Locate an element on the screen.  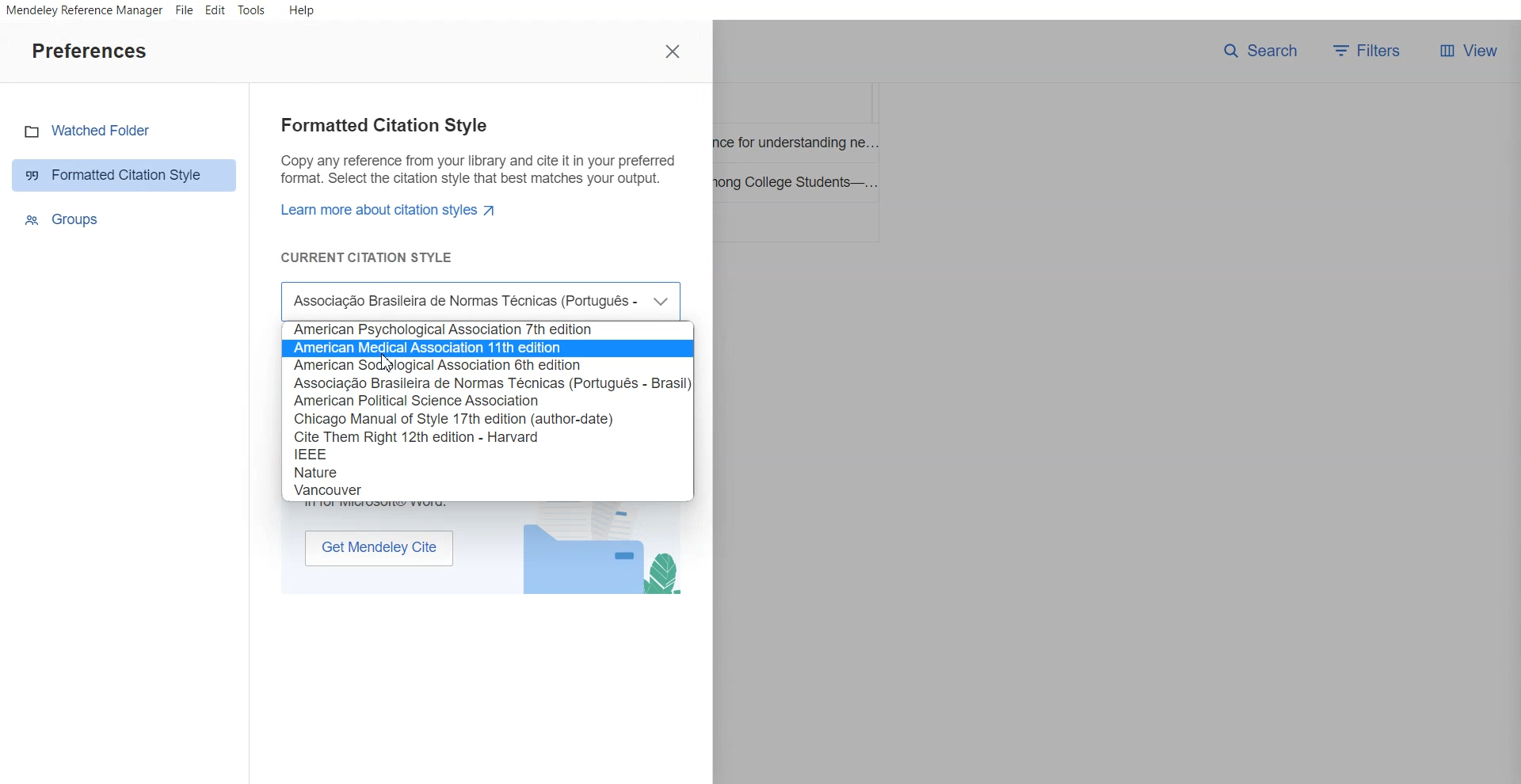
Close is located at coordinates (674, 51).